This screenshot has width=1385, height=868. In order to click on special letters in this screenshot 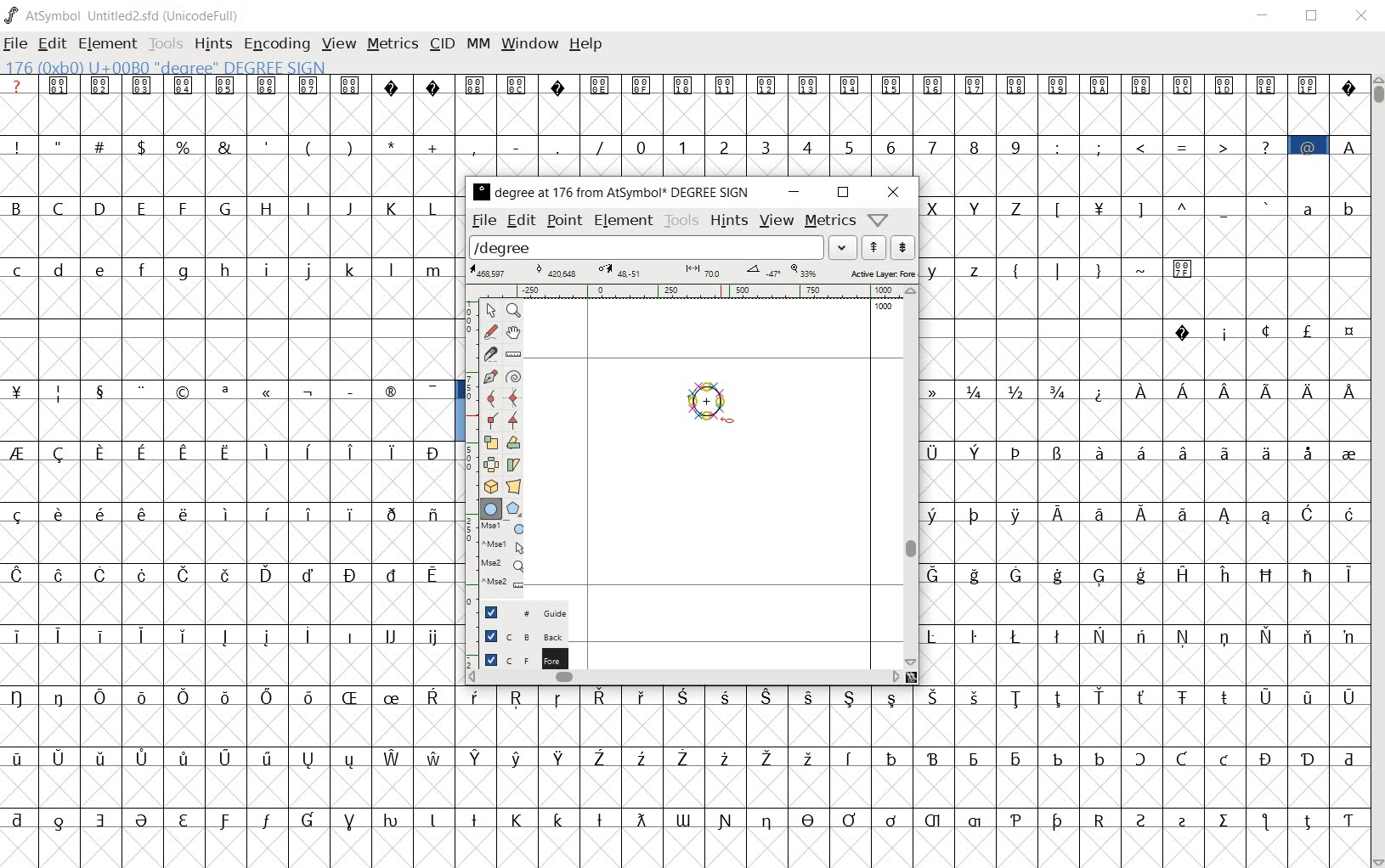, I will do `click(913, 698)`.